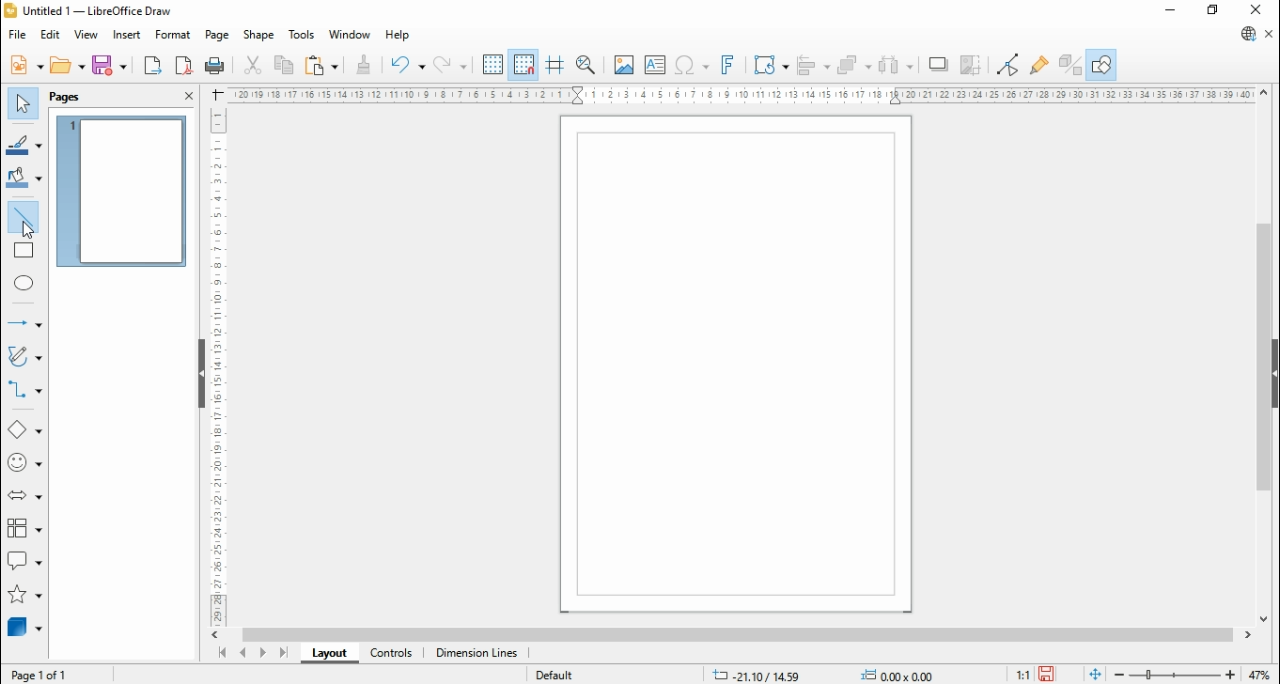  What do you see at coordinates (24, 250) in the screenshot?
I see `rectangle` at bounding box center [24, 250].